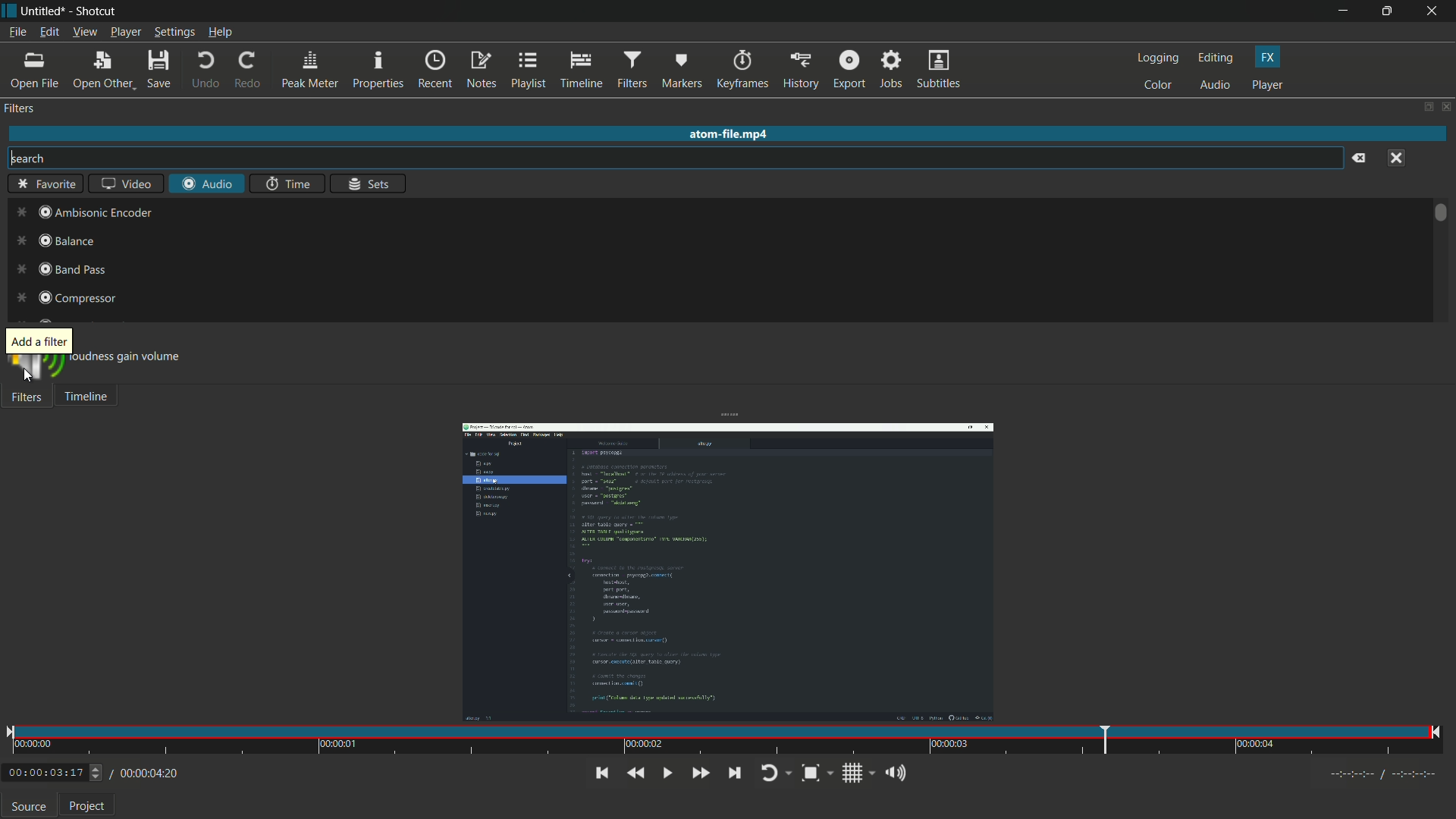 The width and height of the screenshot is (1456, 819). What do you see at coordinates (1158, 86) in the screenshot?
I see `color` at bounding box center [1158, 86].